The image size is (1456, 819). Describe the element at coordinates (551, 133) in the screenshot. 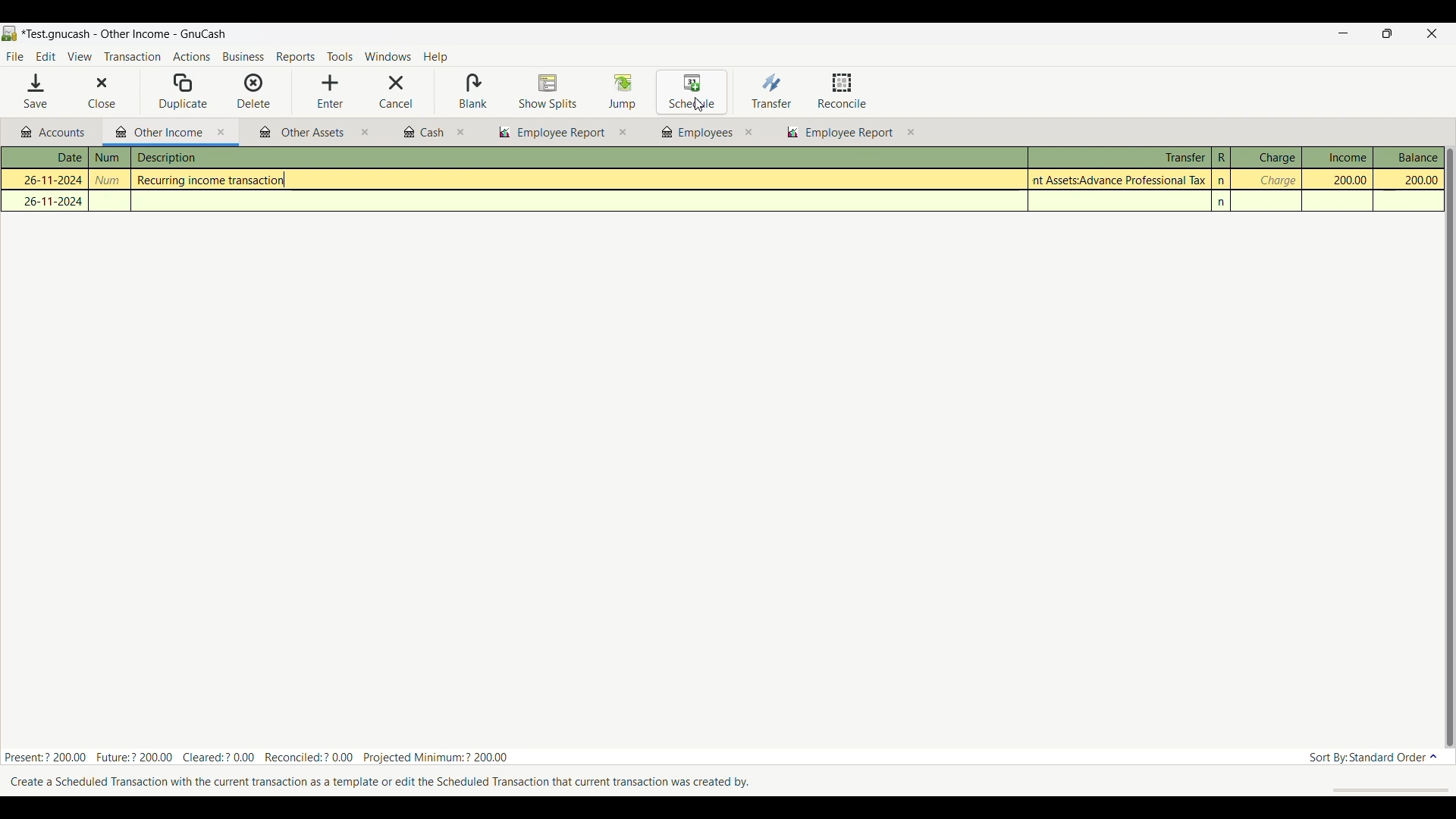

I see `employee report` at that location.